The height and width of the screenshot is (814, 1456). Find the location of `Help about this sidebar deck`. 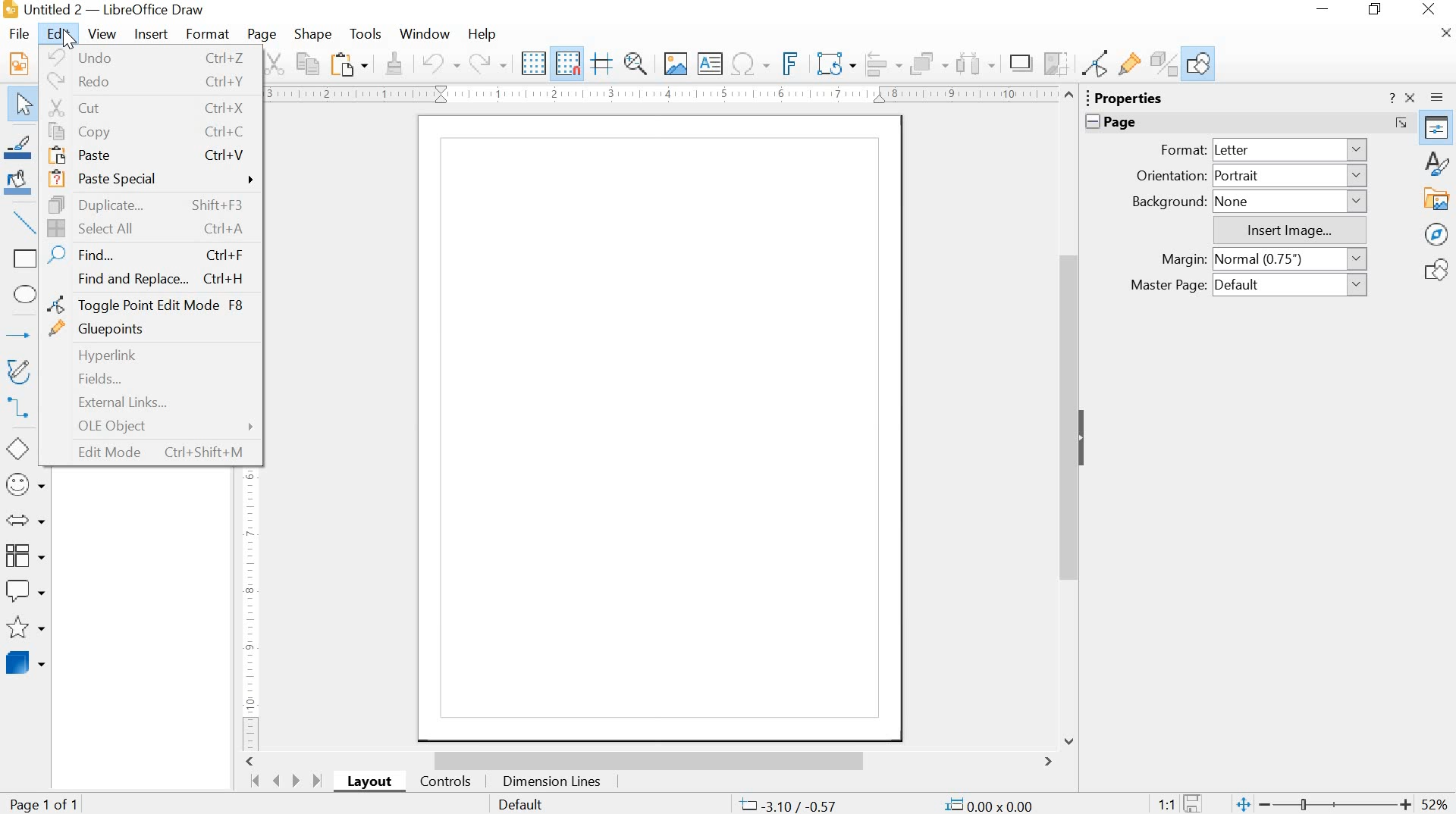

Help about this sidebar deck is located at coordinates (1392, 98).